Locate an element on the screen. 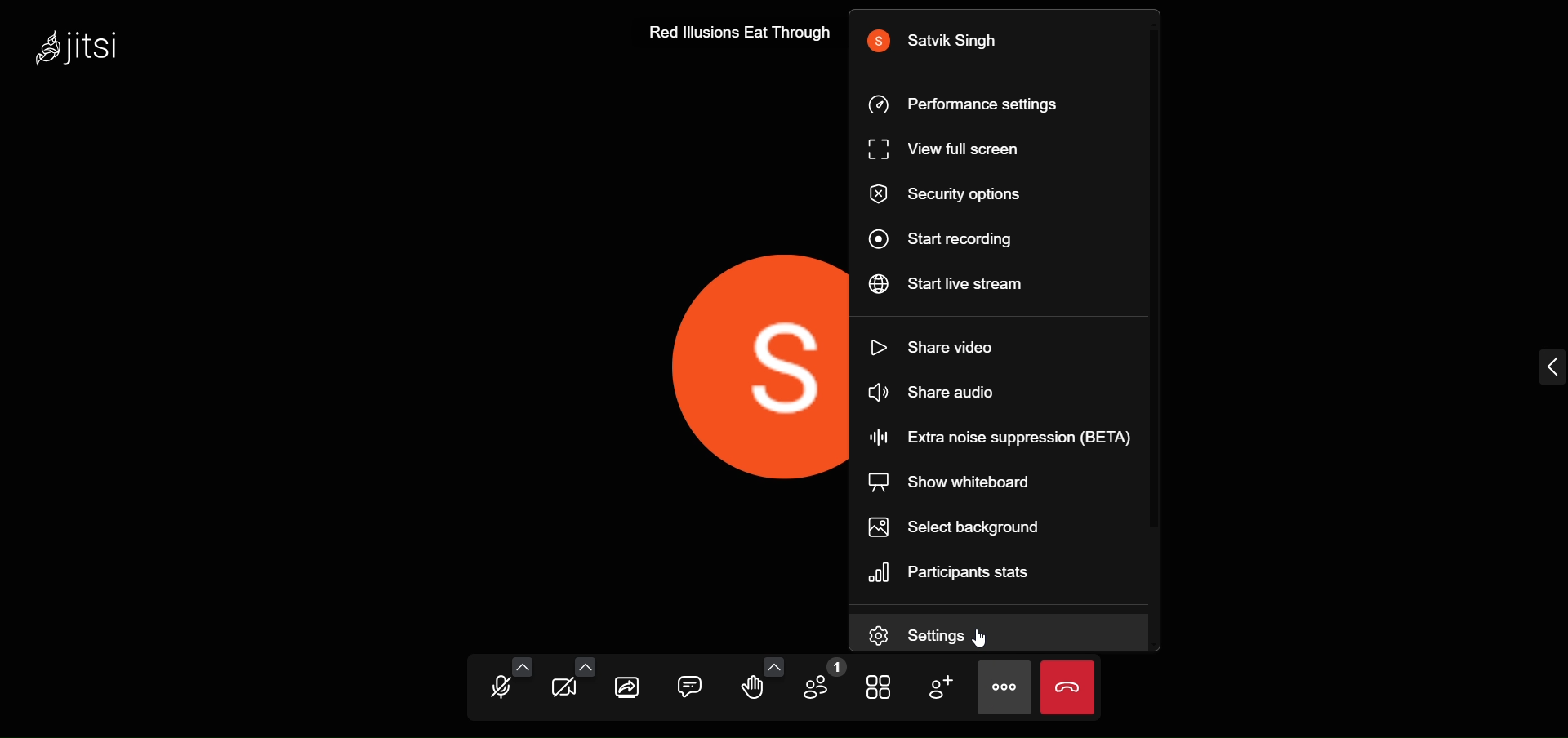 This screenshot has width=1568, height=738. show whiteboard is located at coordinates (964, 482).